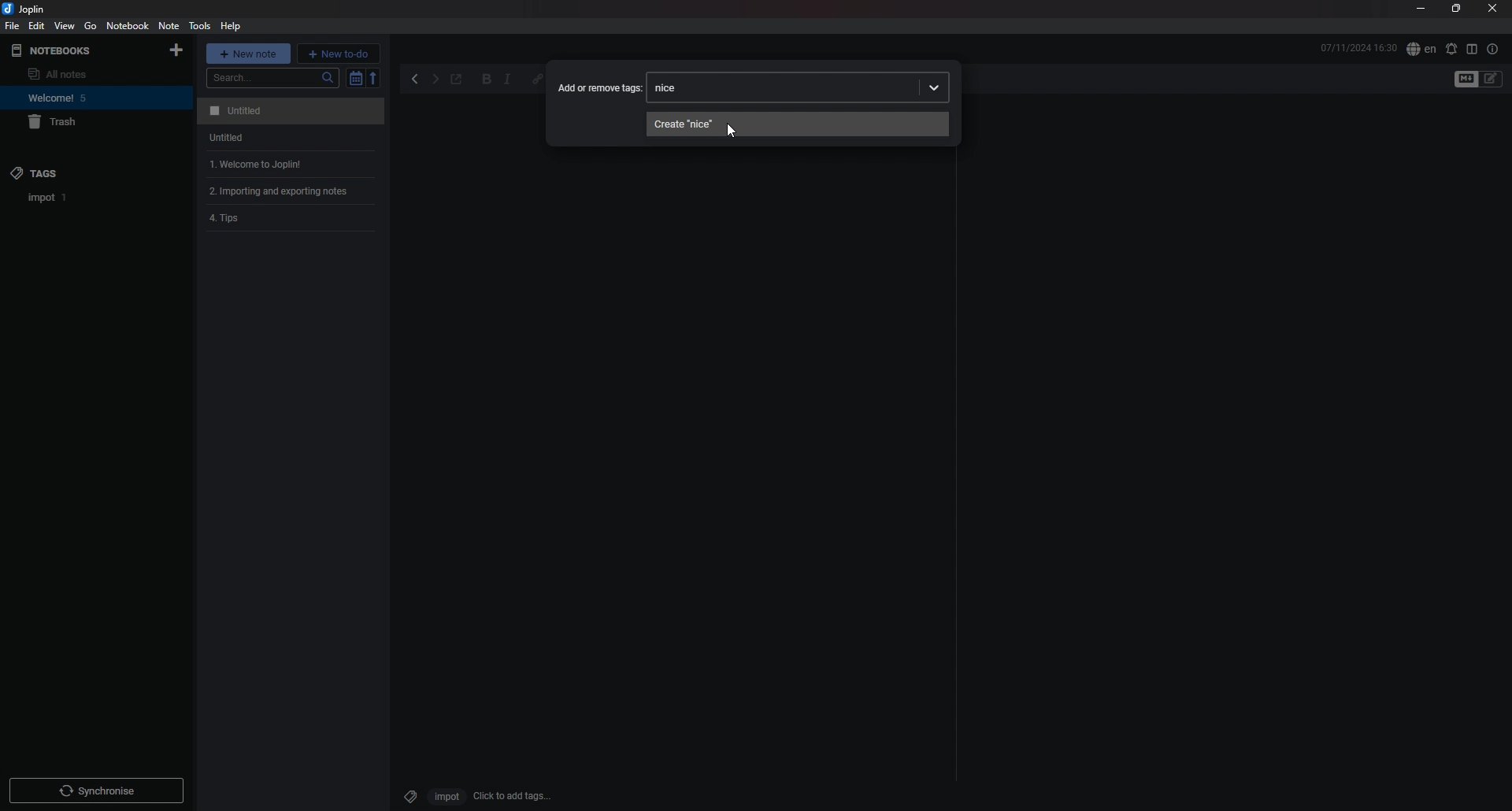 This screenshot has width=1512, height=811. I want to click on HELP, so click(231, 26).